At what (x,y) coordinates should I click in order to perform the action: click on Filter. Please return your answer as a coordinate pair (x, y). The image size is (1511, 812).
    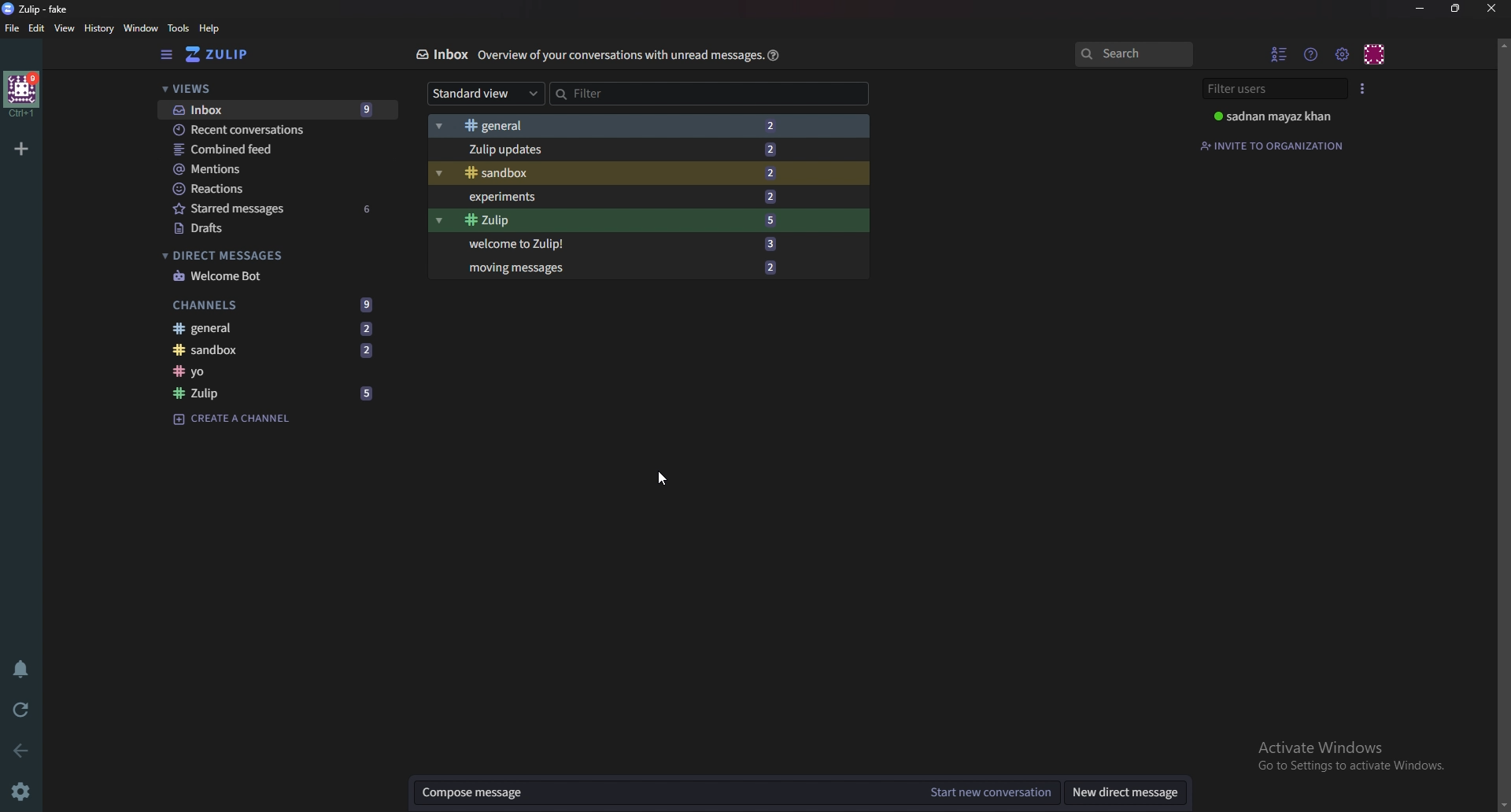
    Looking at the image, I should click on (711, 94).